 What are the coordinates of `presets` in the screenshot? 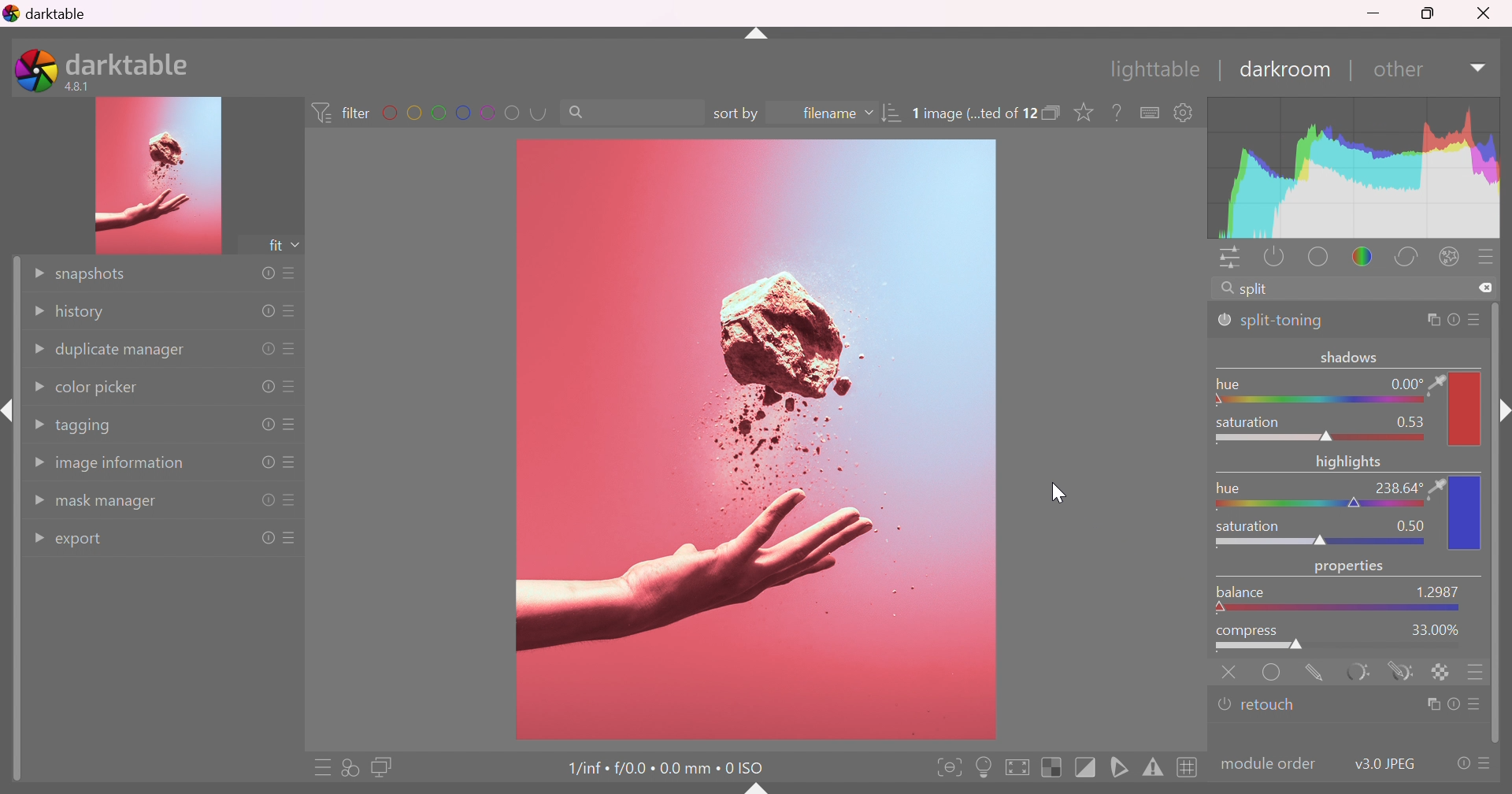 It's located at (292, 275).